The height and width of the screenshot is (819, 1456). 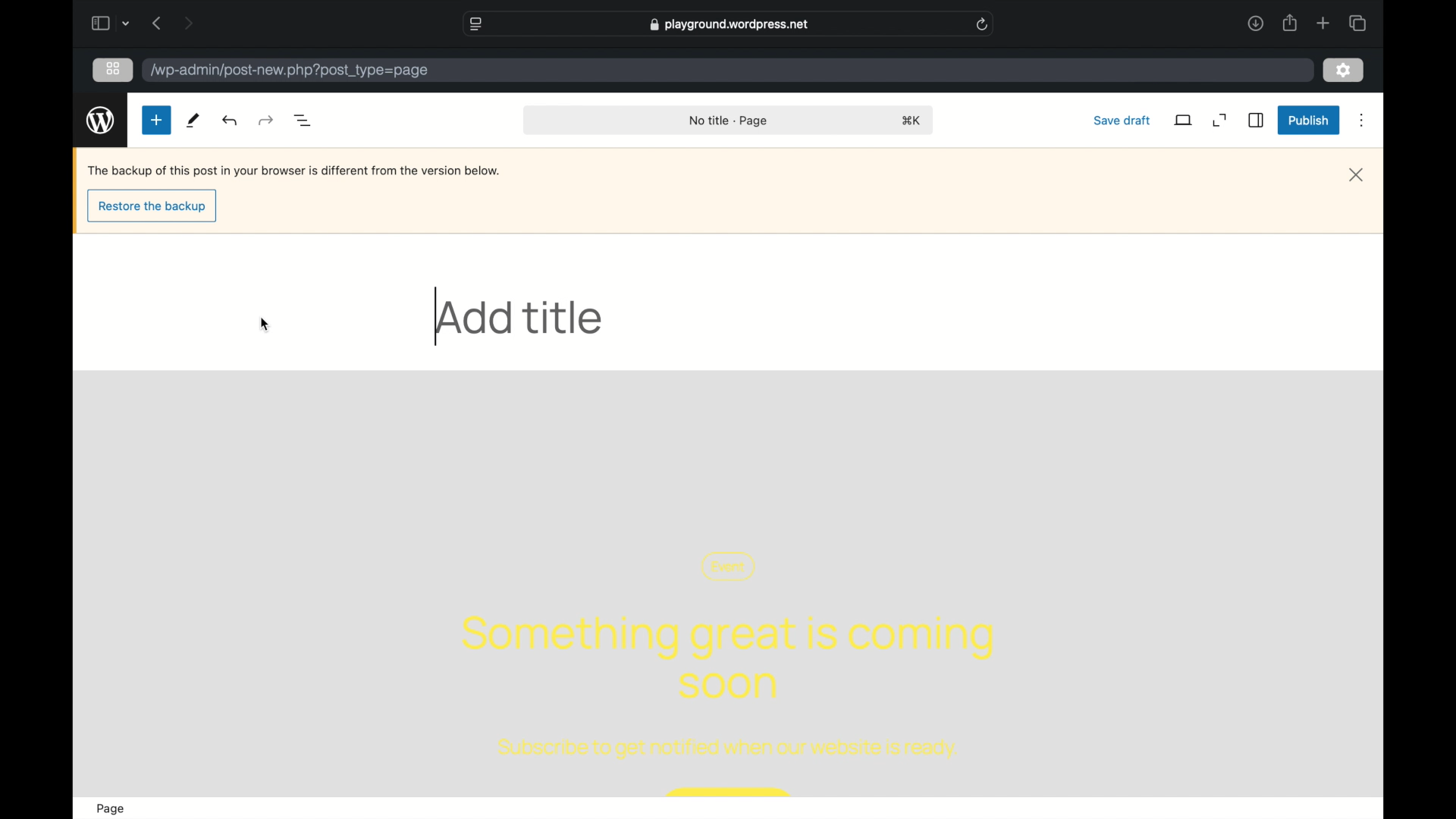 What do you see at coordinates (1307, 121) in the screenshot?
I see `publish` at bounding box center [1307, 121].